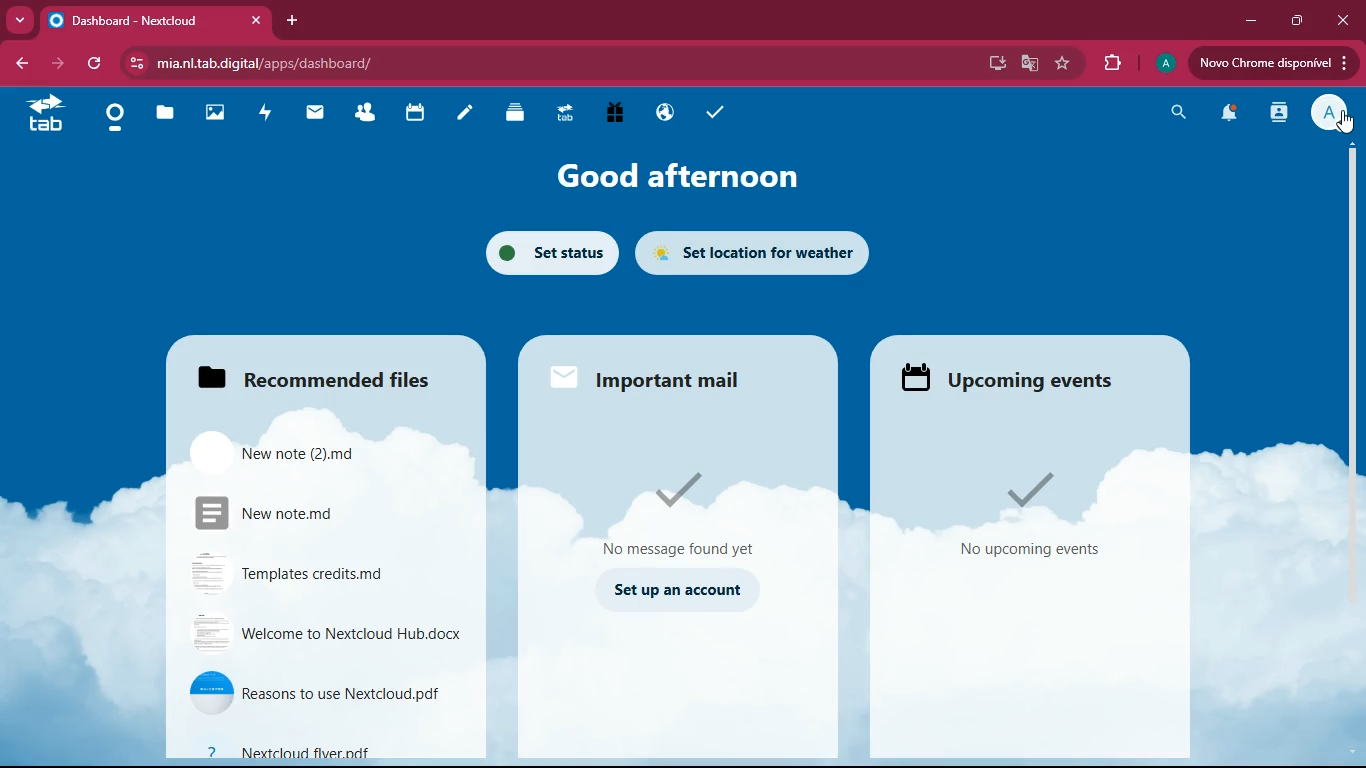  What do you see at coordinates (611, 114) in the screenshot?
I see `gift` at bounding box center [611, 114].